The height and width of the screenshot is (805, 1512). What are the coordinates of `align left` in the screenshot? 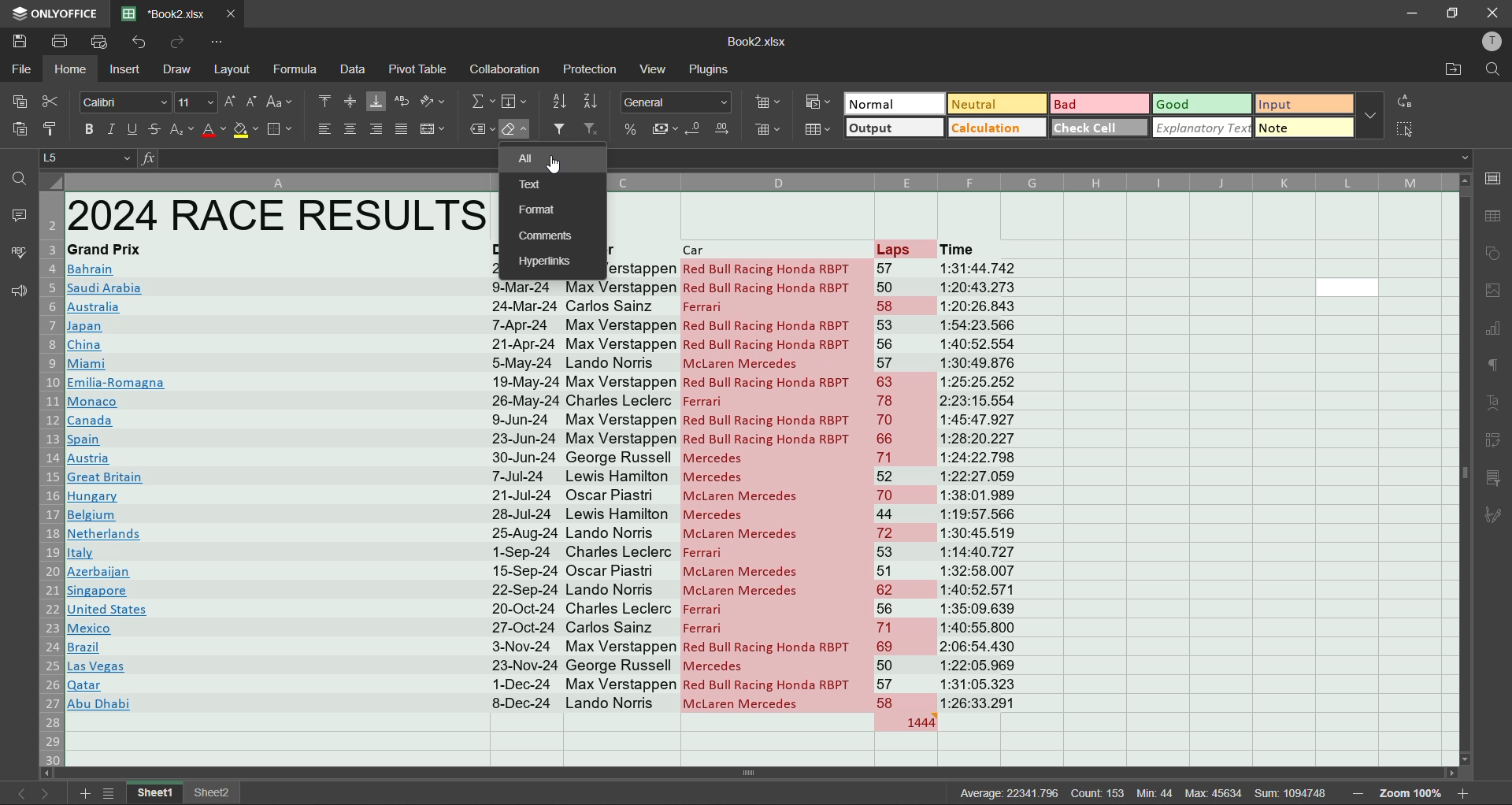 It's located at (323, 129).